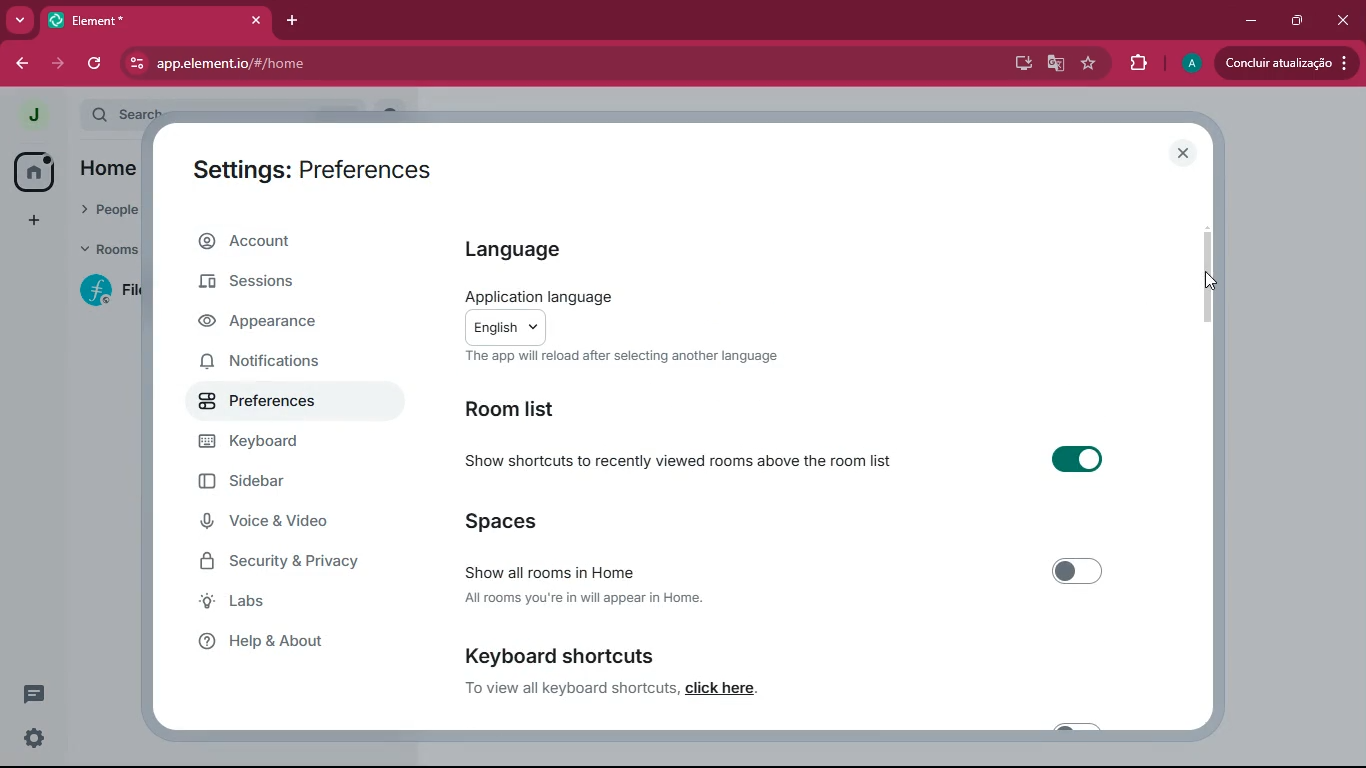 Image resolution: width=1366 pixels, height=768 pixels. What do you see at coordinates (290, 242) in the screenshot?
I see `account` at bounding box center [290, 242].